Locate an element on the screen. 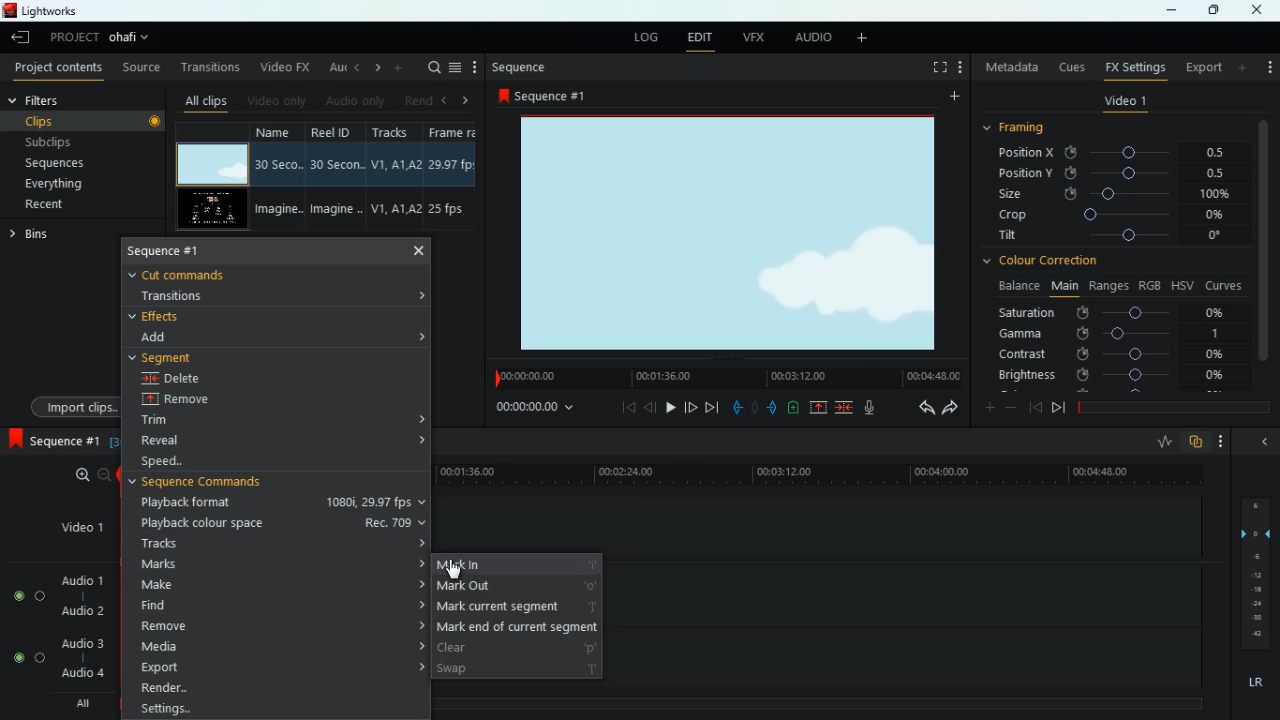 The height and width of the screenshot is (720, 1280). vfx is located at coordinates (750, 38).